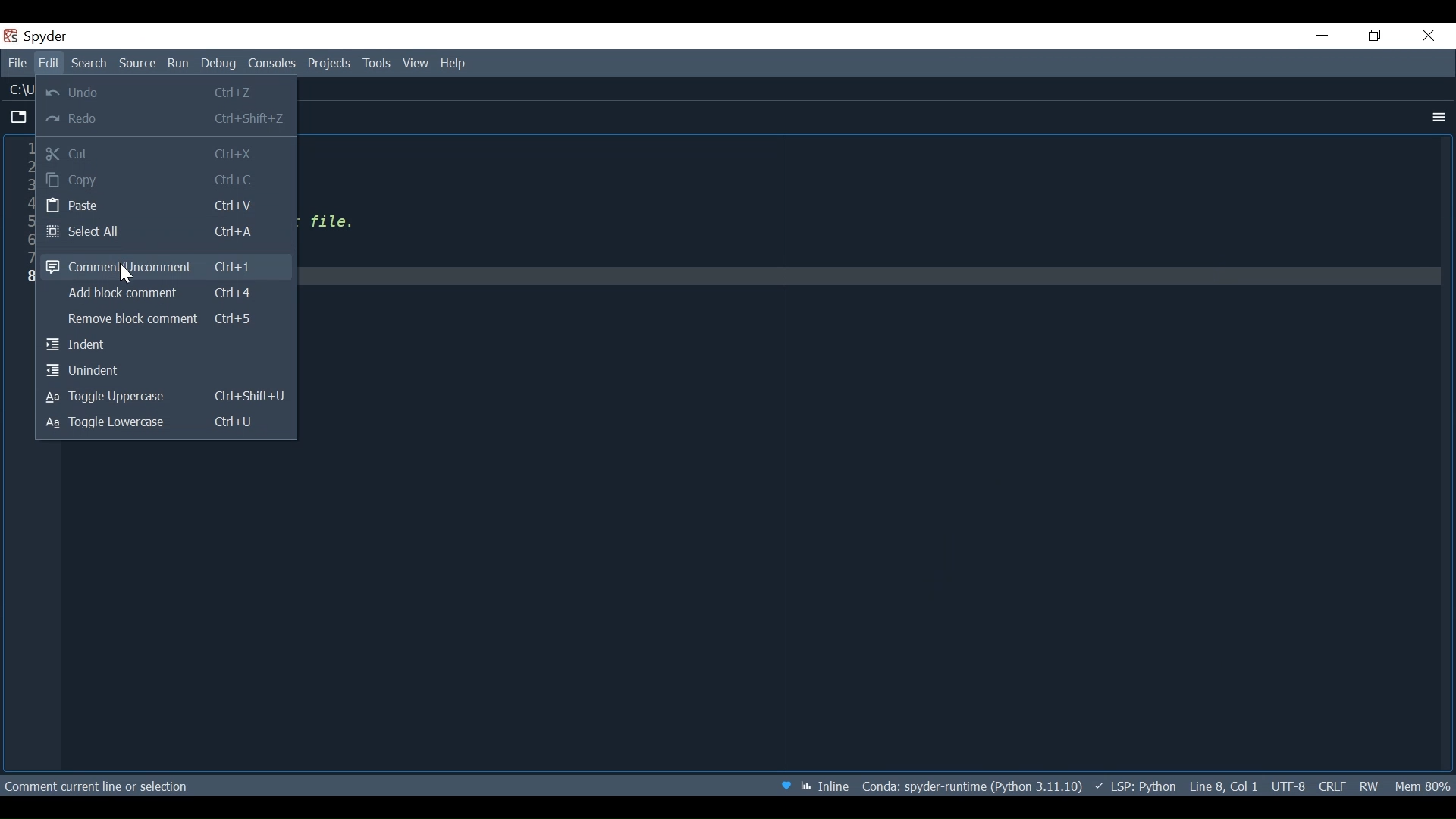 The height and width of the screenshot is (819, 1456). Describe the element at coordinates (1436, 117) in the screenshot. I see `More Options` at that location.